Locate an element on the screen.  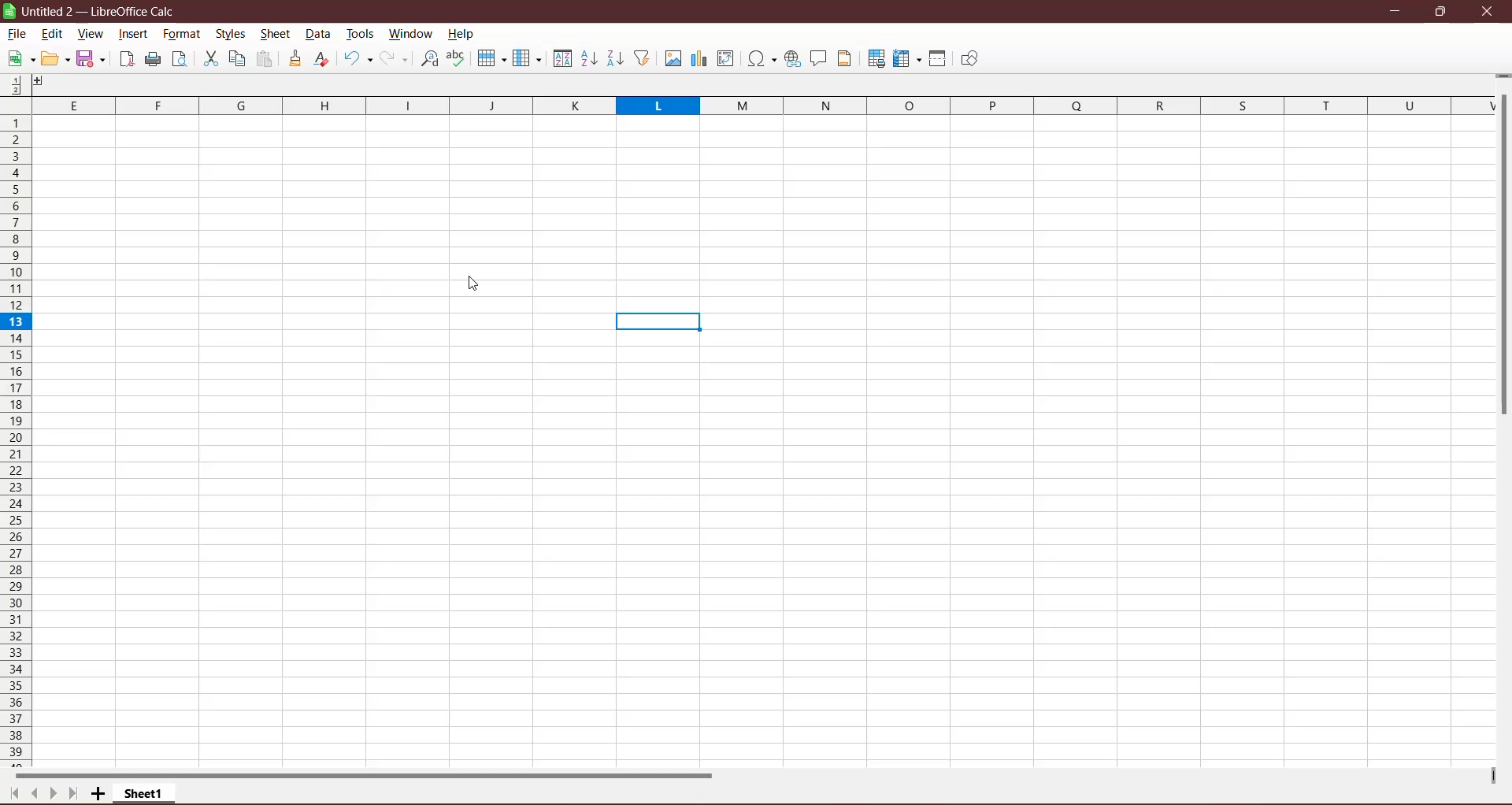
Sort Descending is located at coordinates (616, 58).